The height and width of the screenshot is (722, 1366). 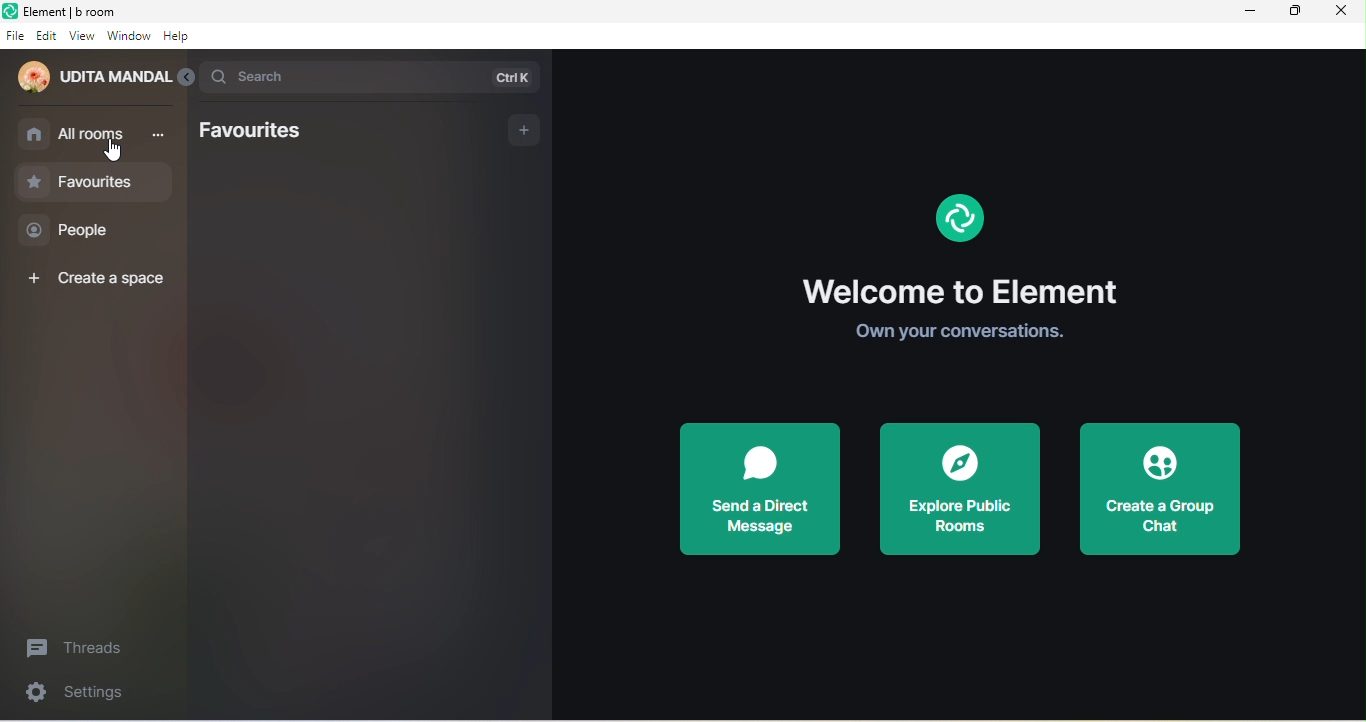 I want to click on Element | b room, so click(x=78, y=10).